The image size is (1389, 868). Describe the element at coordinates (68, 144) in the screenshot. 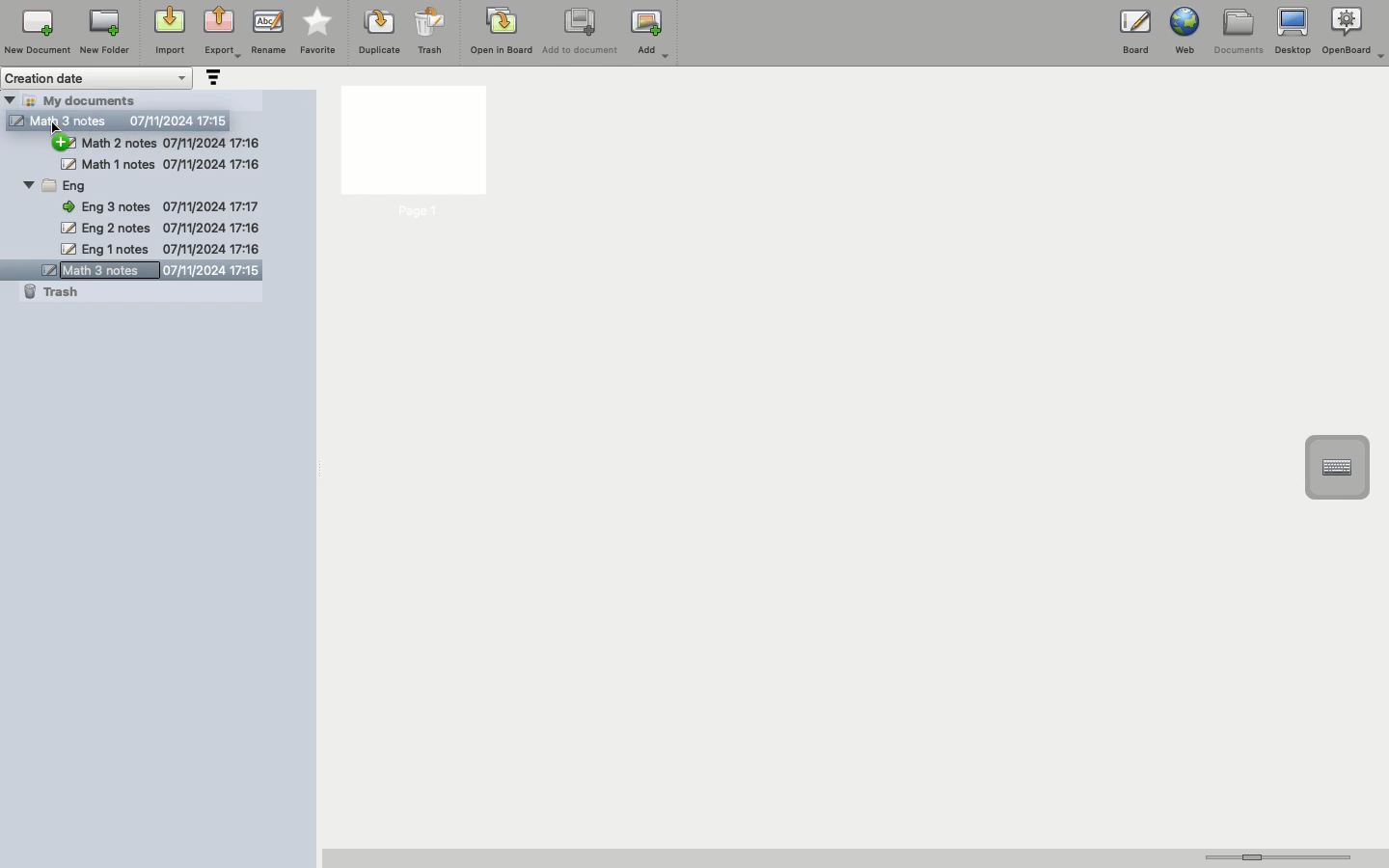

I see `Hide` at that location.